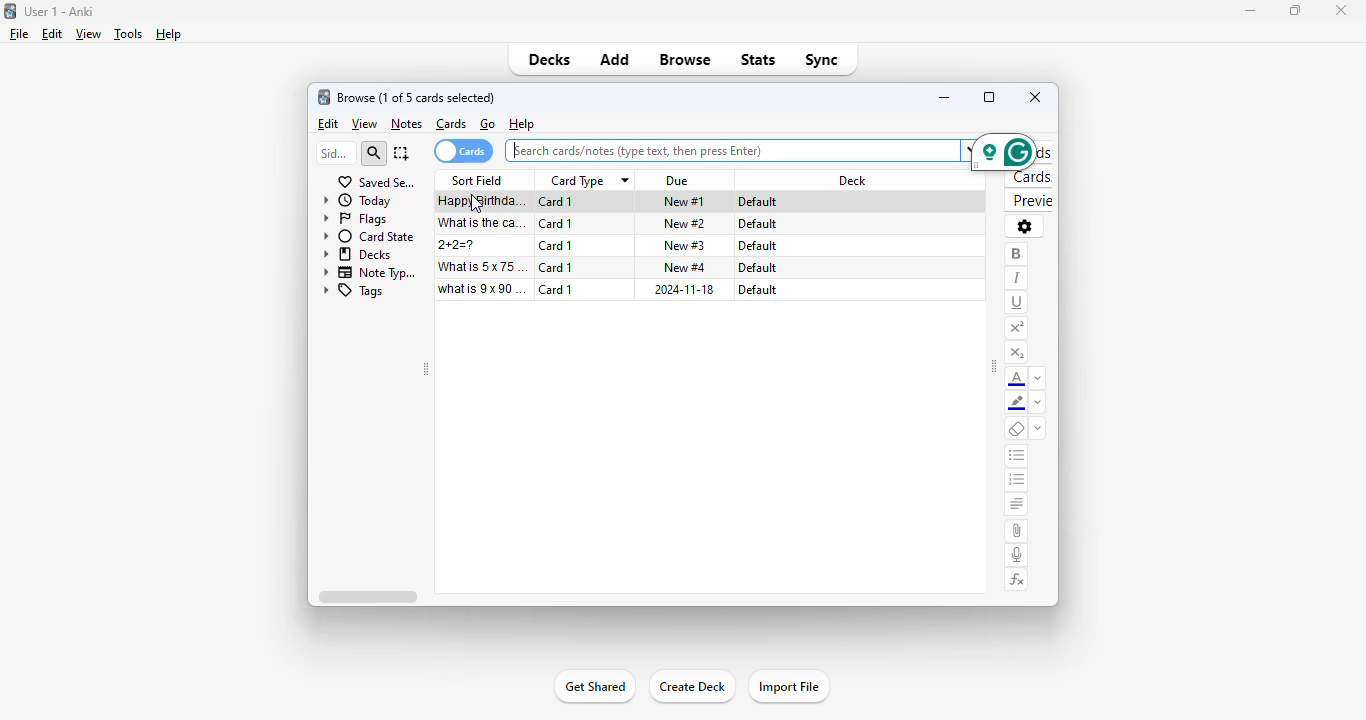 The height and width of the screenshot is (720, 1366). Describe the element at coordinates (1017, 505) in the screenshot. I see `alignment` at that location.